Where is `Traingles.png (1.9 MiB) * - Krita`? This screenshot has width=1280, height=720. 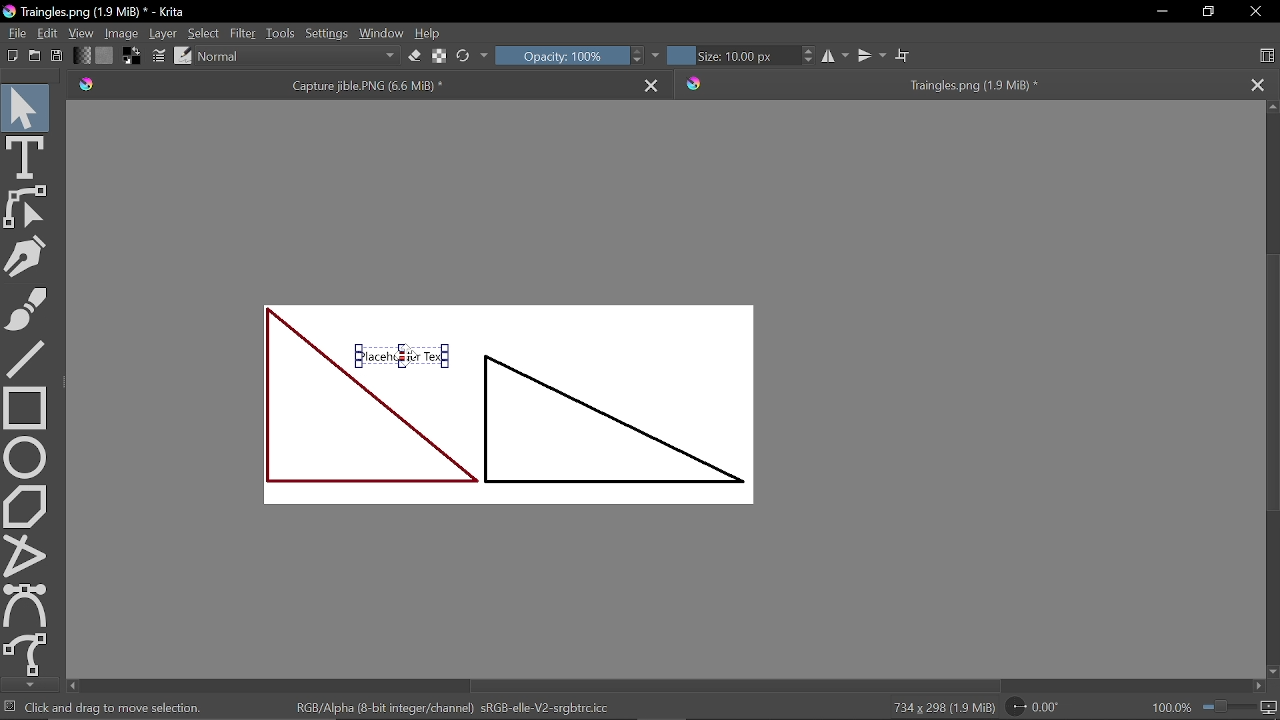
Traingles.png (1.9 MiB) * - Krita is located at coordinates (98, 12).